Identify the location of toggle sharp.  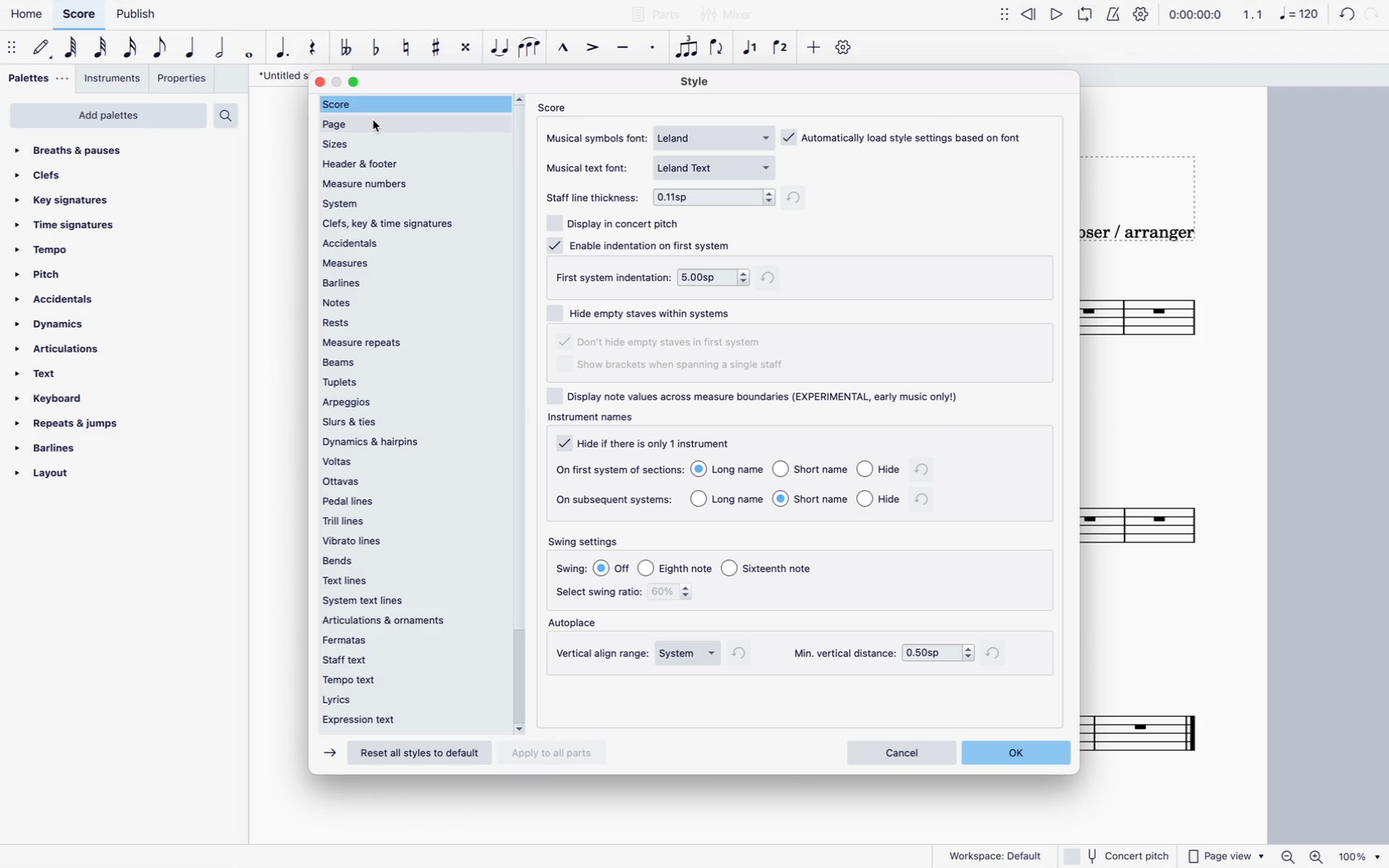
(435, 48).